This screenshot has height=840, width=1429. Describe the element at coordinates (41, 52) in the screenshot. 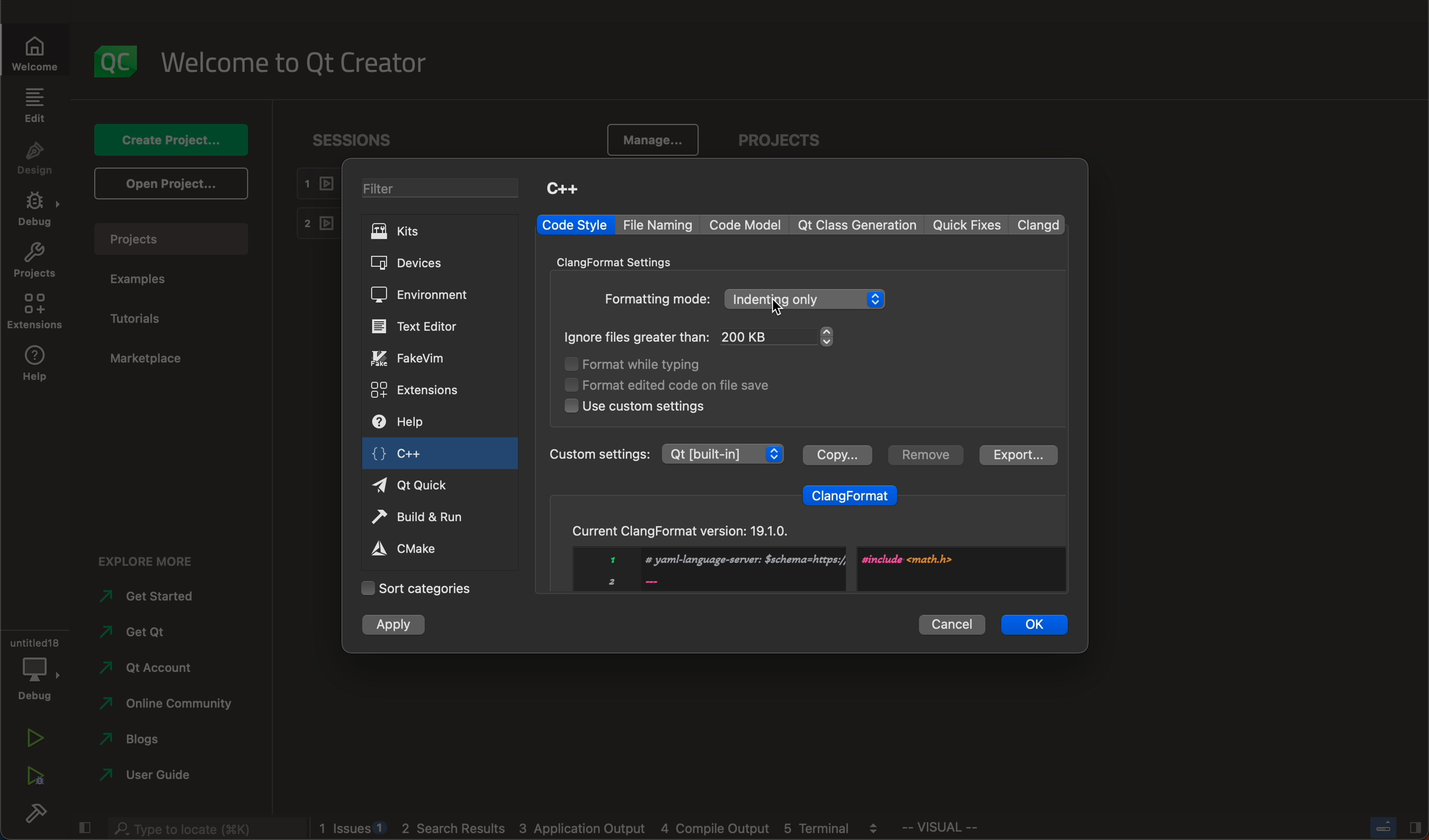

I see `welcome` at that location.